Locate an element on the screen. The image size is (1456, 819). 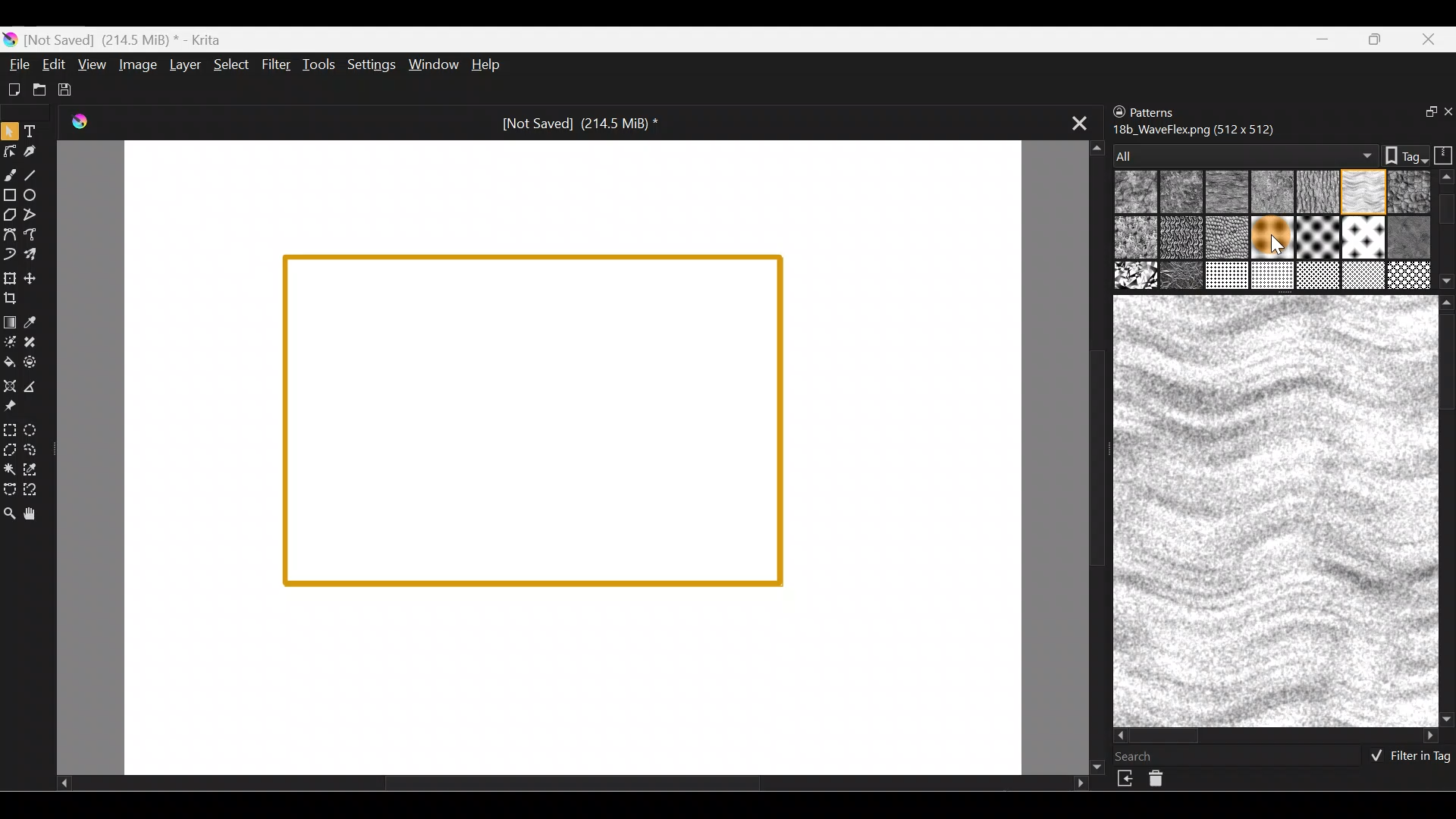
Enclose & fill tool is located at coordinates (38, 362).